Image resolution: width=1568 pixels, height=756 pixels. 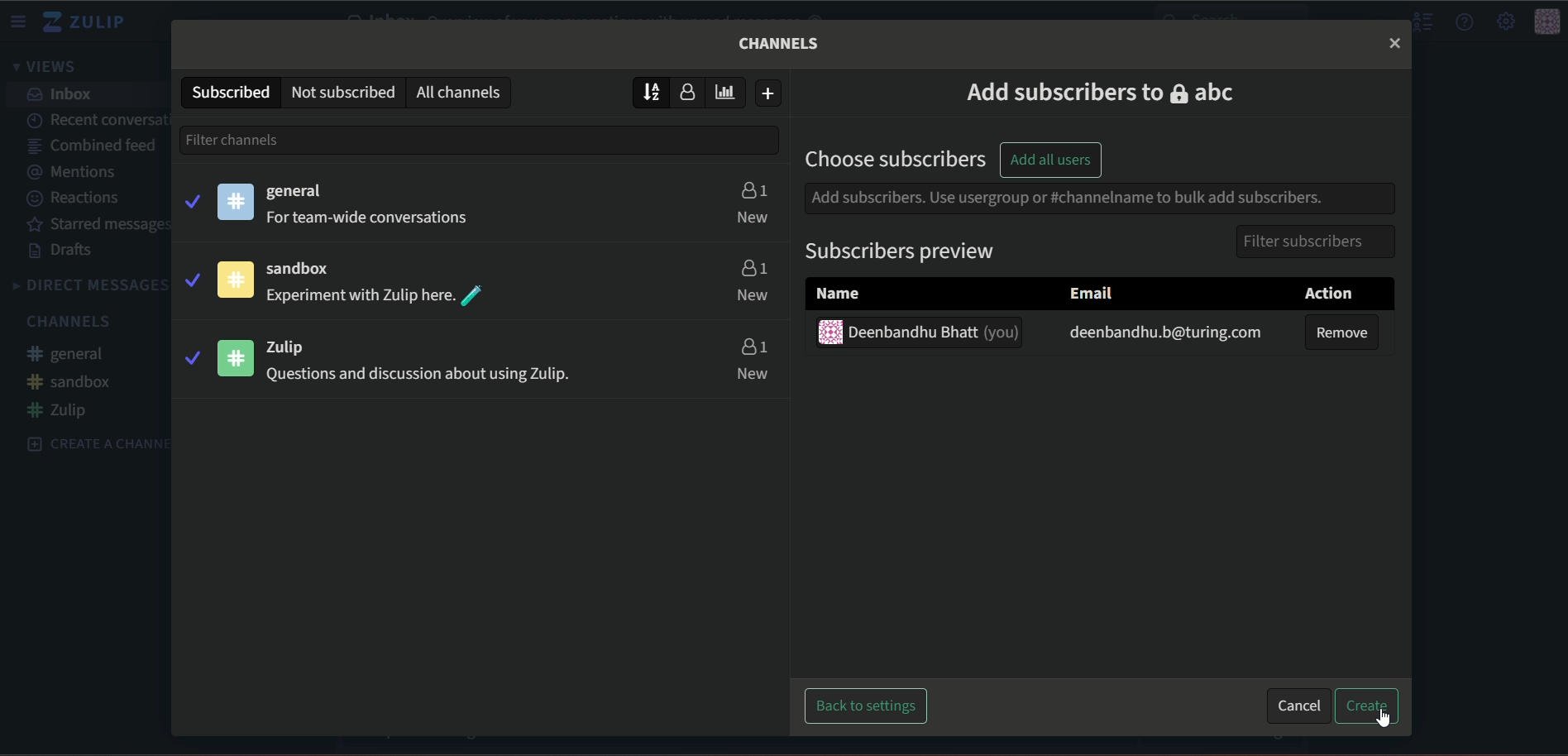 I want to click on  Deenbandhu Bhatt (you), so click(x=937, y=333).